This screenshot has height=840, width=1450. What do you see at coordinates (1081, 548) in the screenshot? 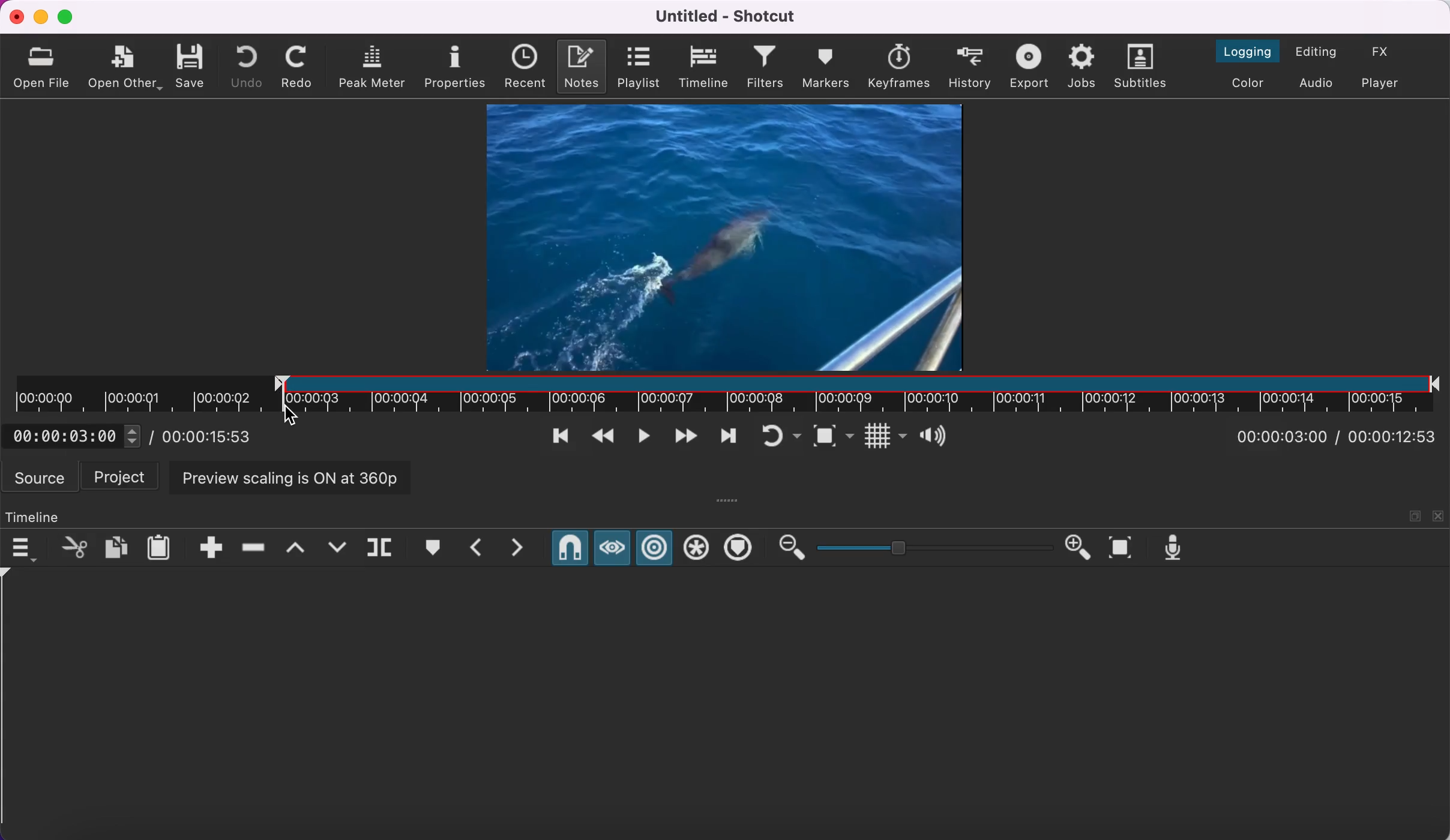
I see `zoom in` at bounding box center [1081, 548].